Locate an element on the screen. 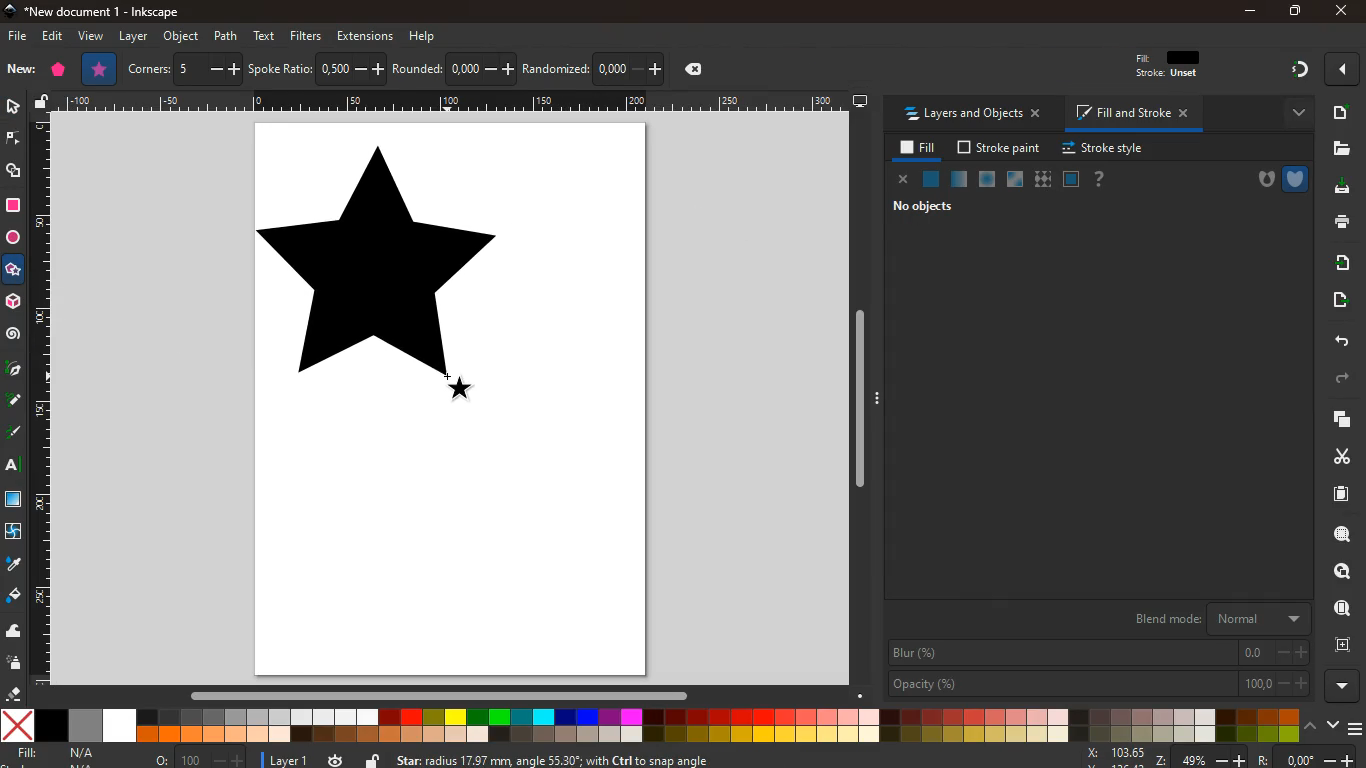 Image resolution: width=1366 pixels, height=768 pixels. gradient is located at coordinates (1289, 70).